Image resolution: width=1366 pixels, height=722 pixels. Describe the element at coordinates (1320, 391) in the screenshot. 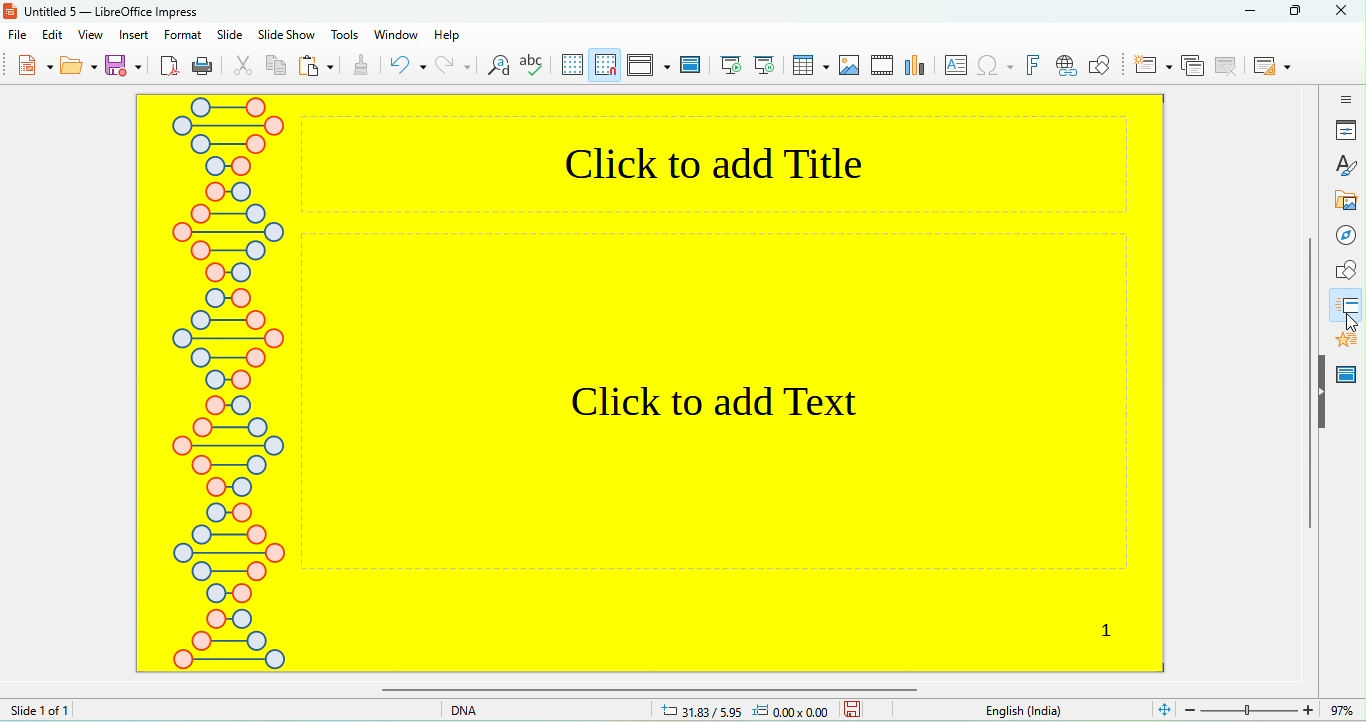

I see `height` at that location.